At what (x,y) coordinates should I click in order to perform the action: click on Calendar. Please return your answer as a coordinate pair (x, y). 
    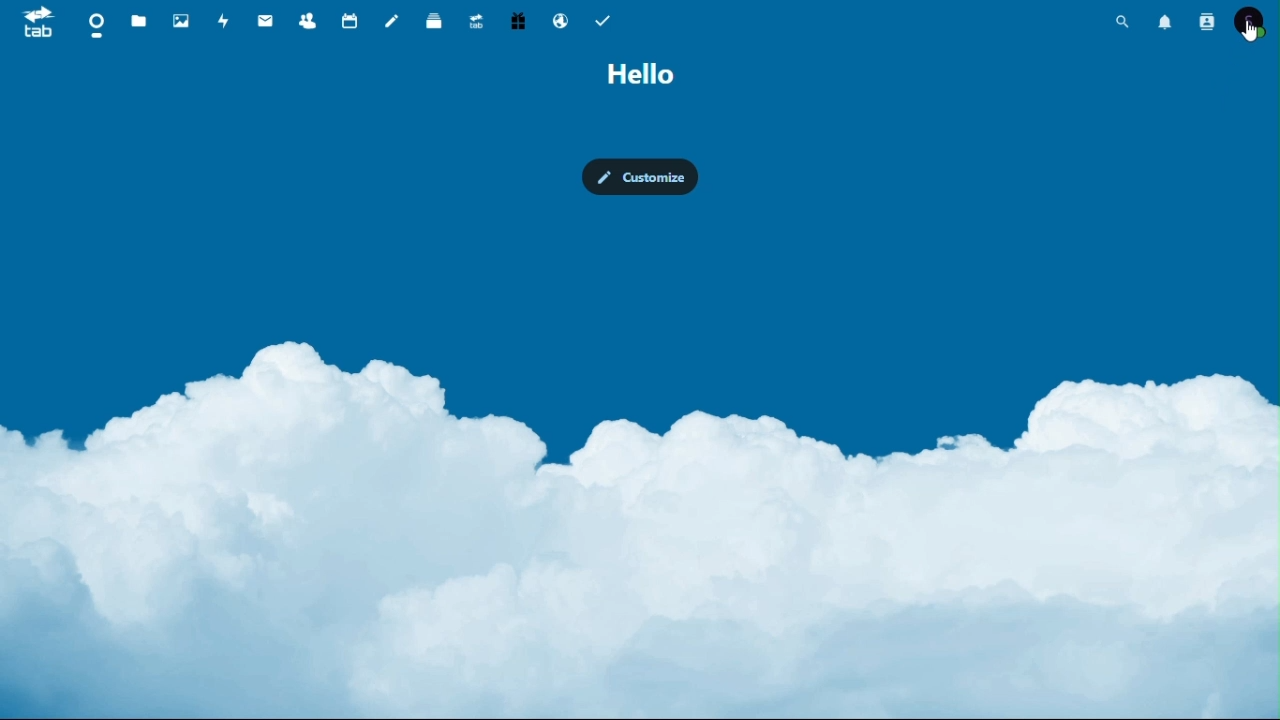
    Looking at the image, I should click on (353, 19).